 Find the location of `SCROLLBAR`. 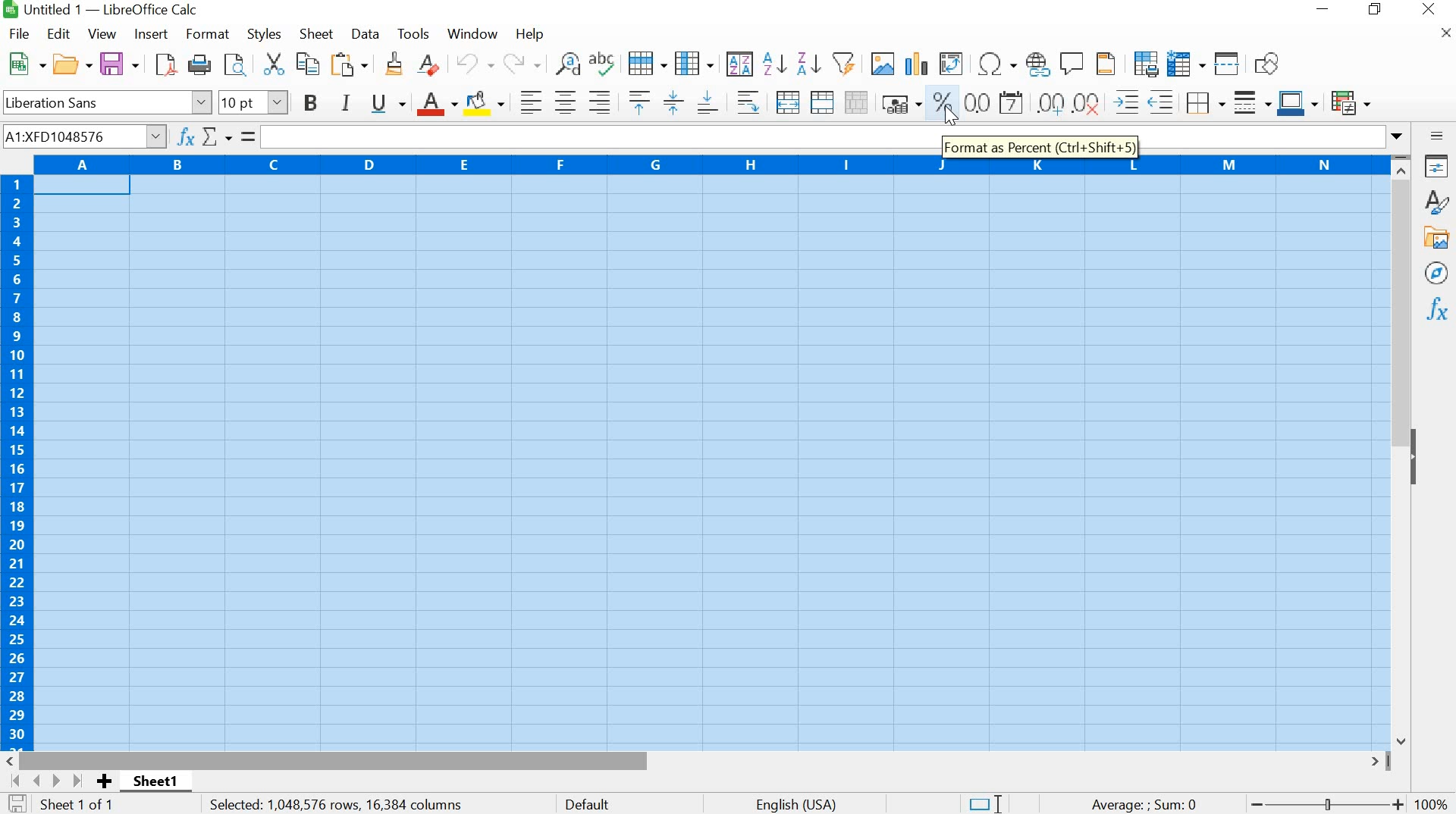

SCROLLBAR is located at coordinates (1402, 452).